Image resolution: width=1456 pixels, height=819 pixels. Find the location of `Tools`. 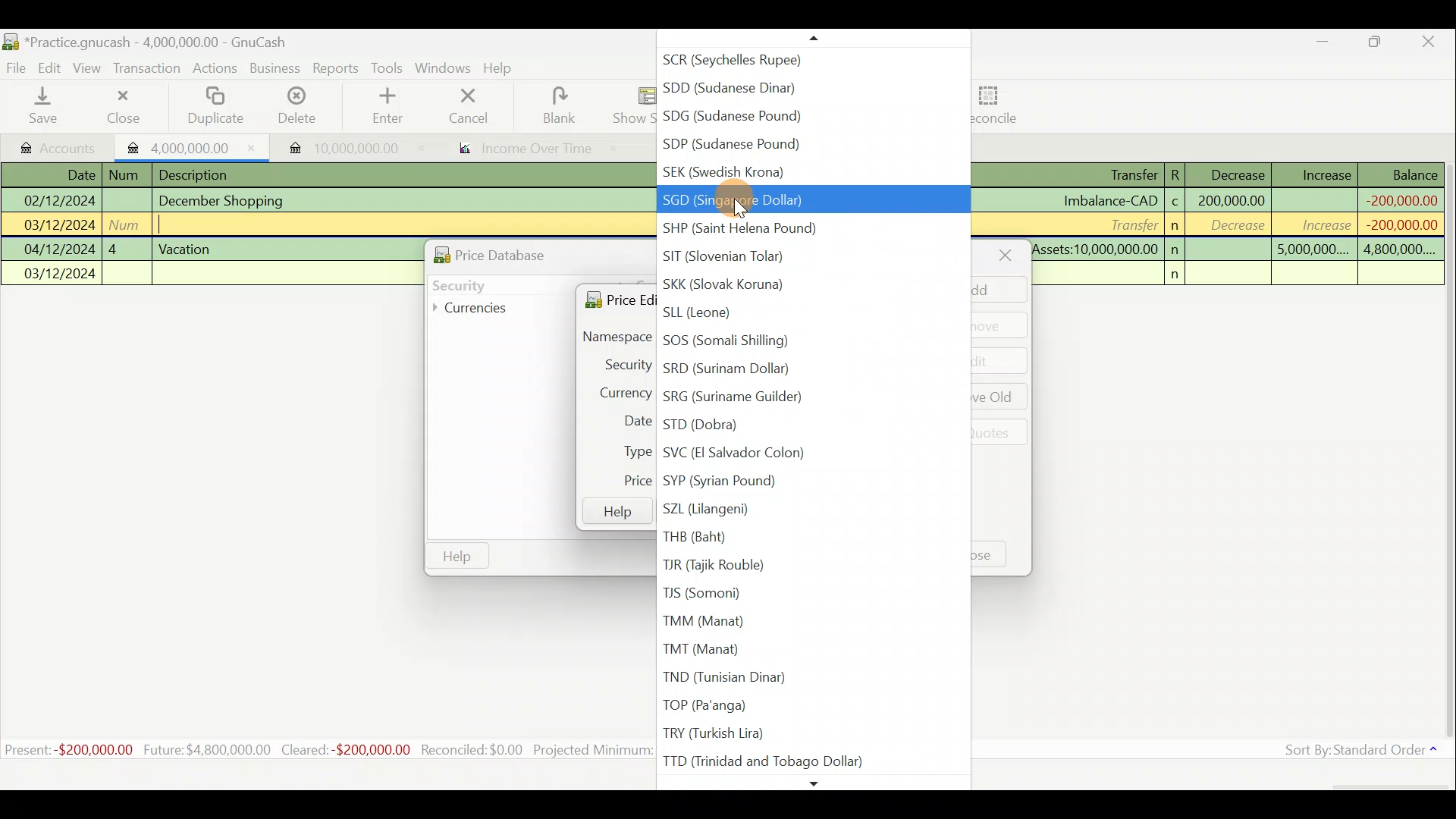

Tools is located at coordinates (388, 67).